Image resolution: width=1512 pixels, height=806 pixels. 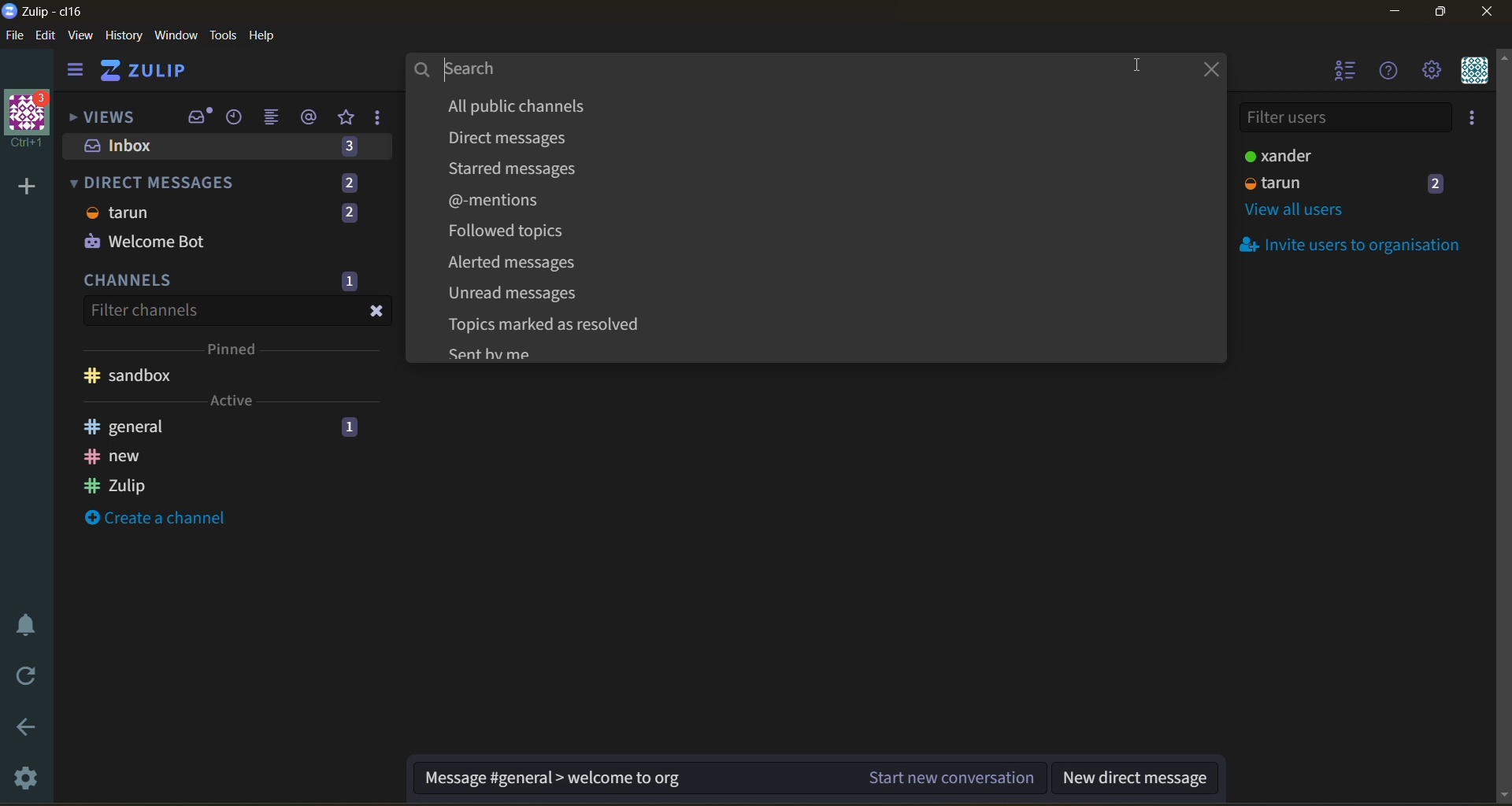 What do you see at coordinates (236, 347) in the screenshot?
I see `pinned` at bounding box center [236, 347].